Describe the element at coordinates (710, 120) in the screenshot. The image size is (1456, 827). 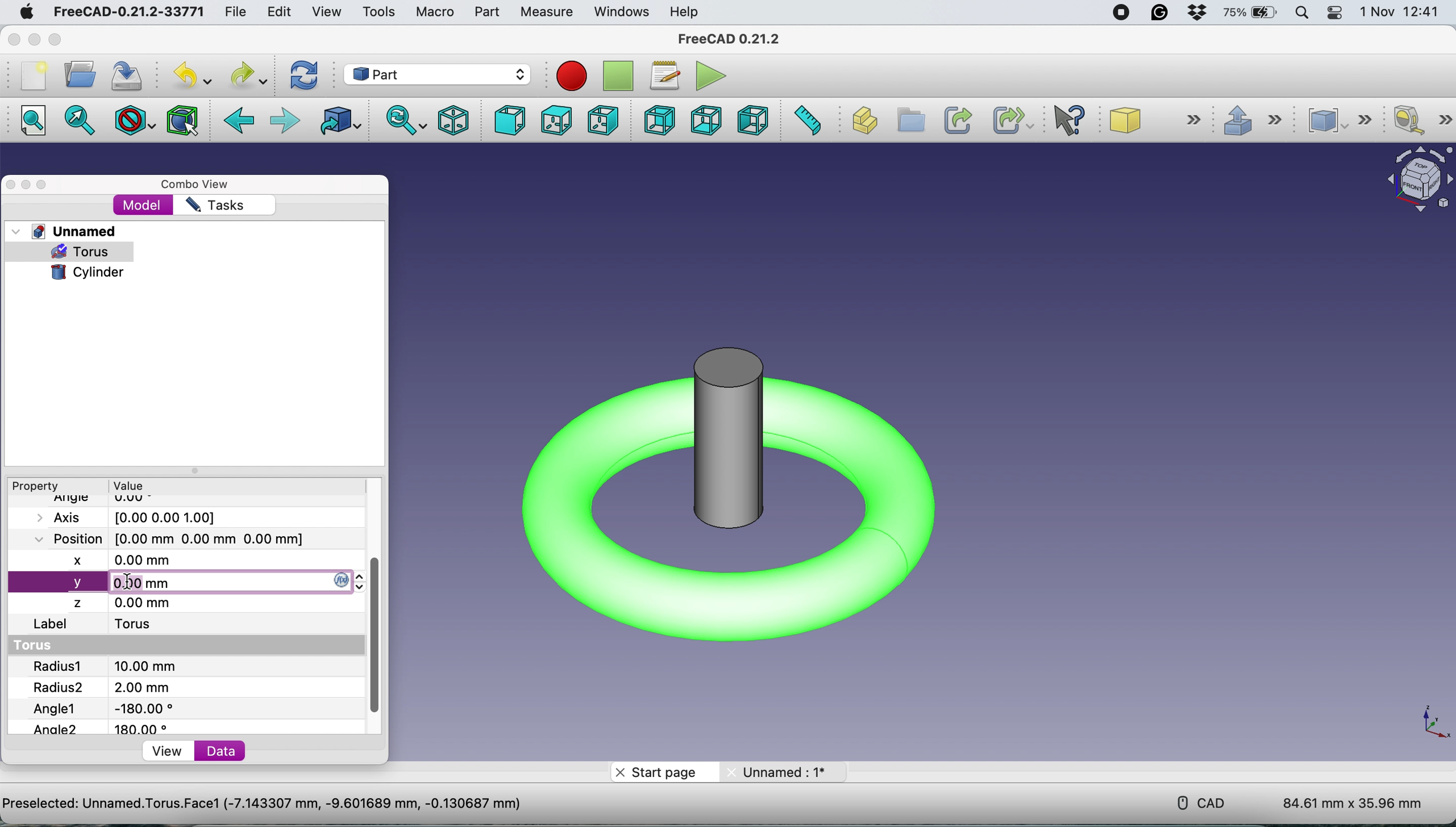
I see `bottom` at that location.